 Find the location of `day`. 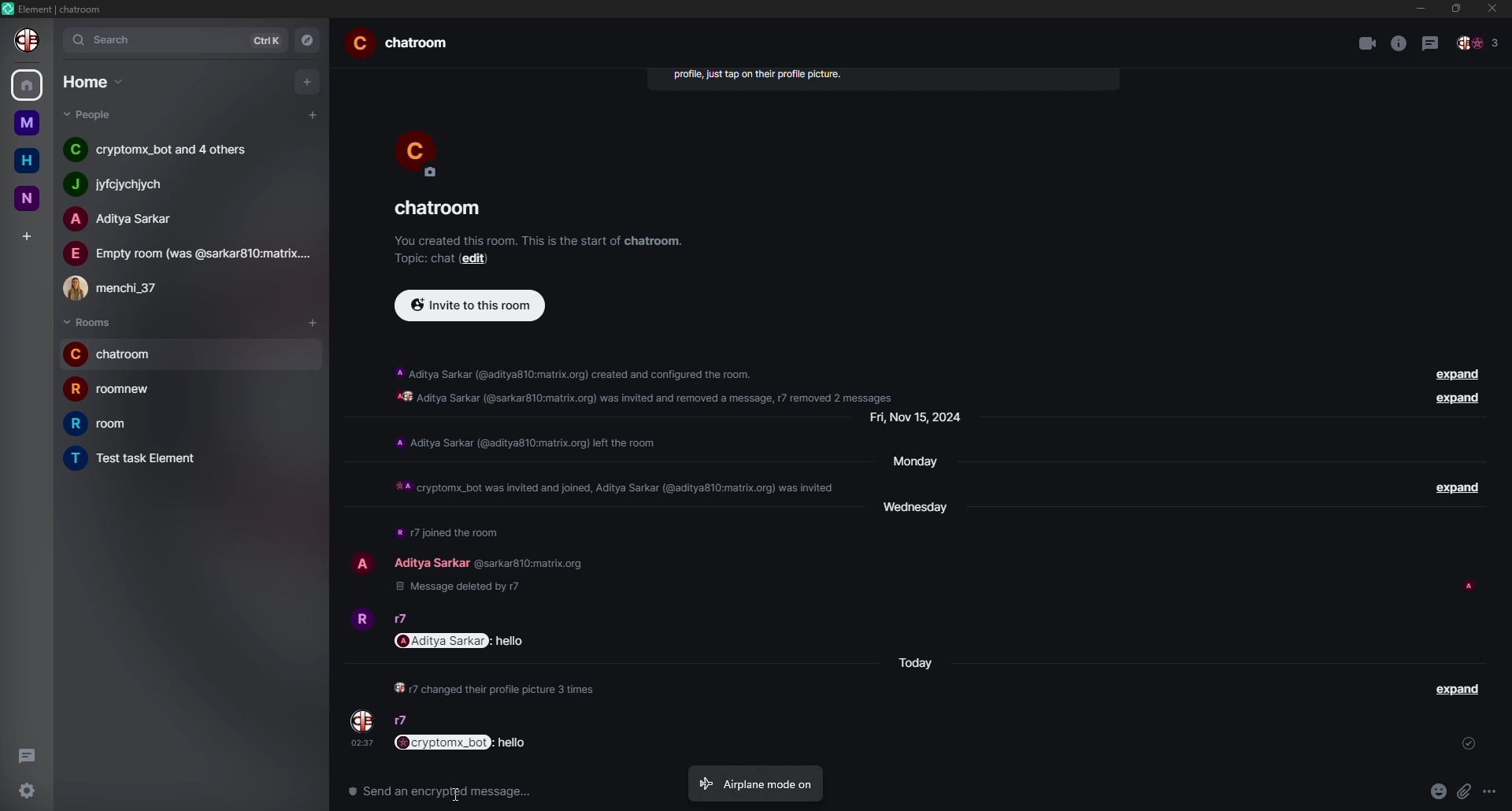

day is located at coordinates (914, 664).